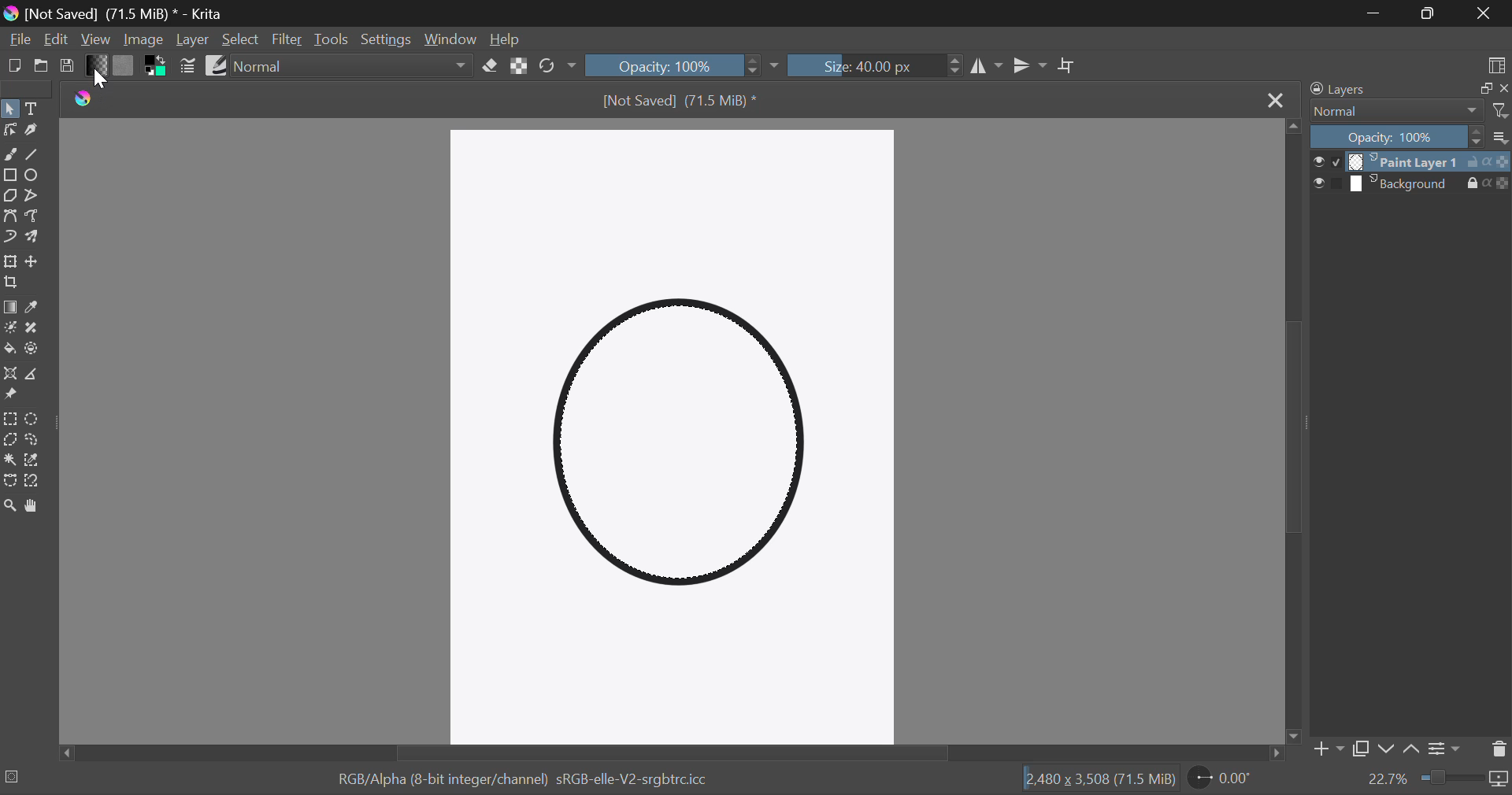 The width and height of the screenshot is (1512, 795). I want to click on Rectangle, so click(11, 177).